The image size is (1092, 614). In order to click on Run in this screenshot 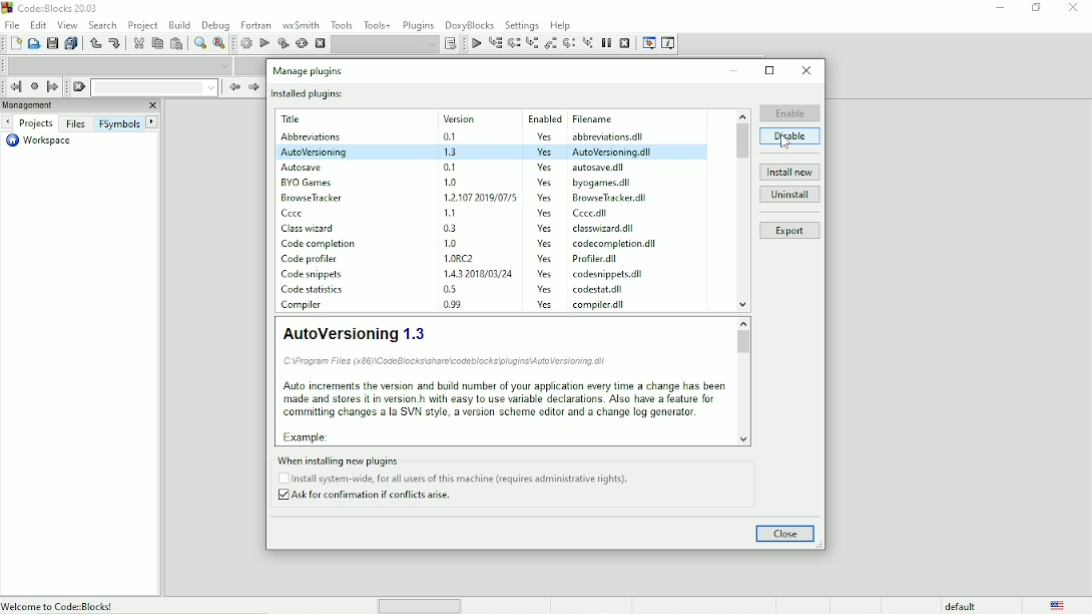, I will do `click(265, 43)`.